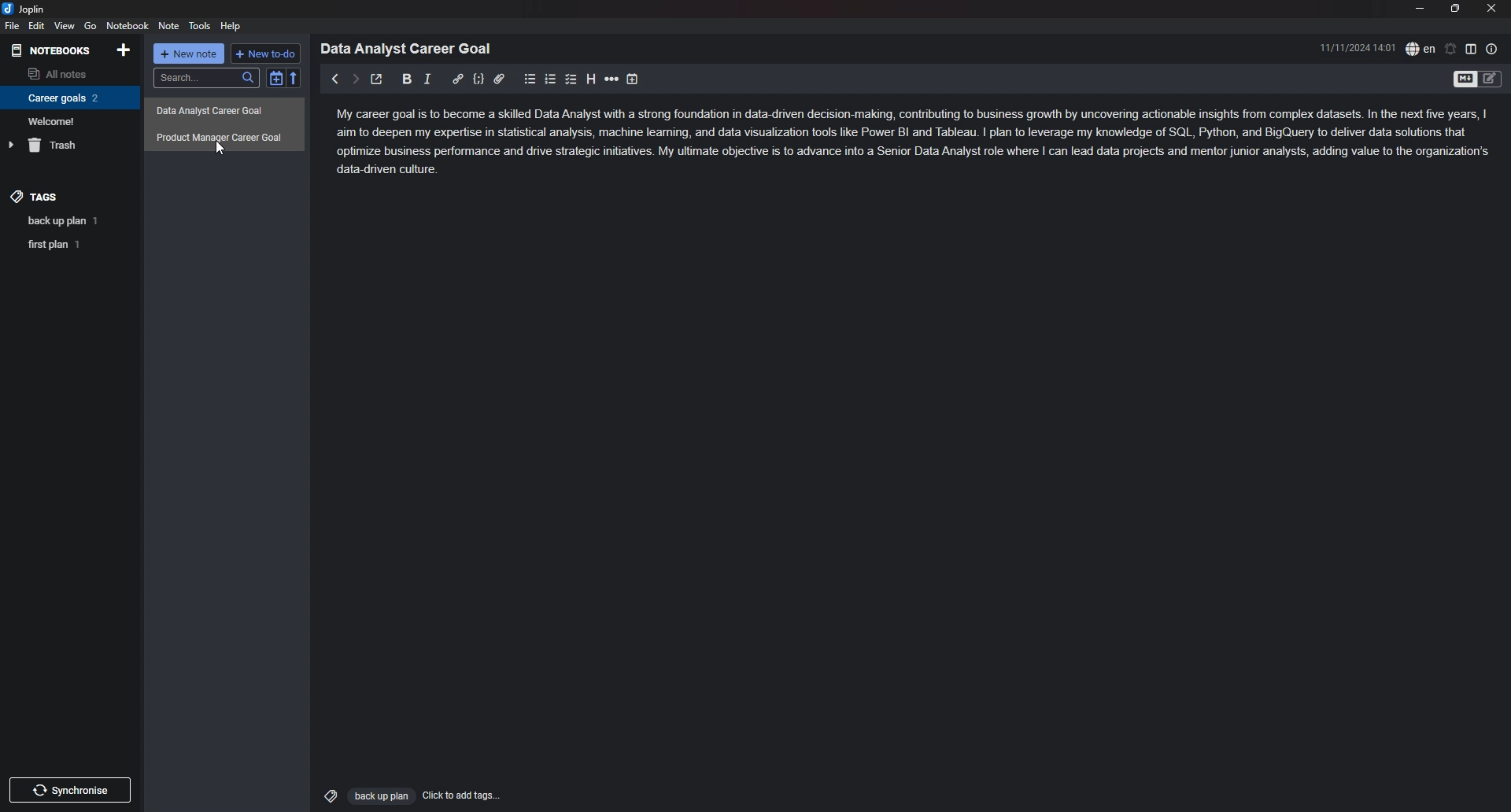  I want to click on first plan 1, so click(74, 245).